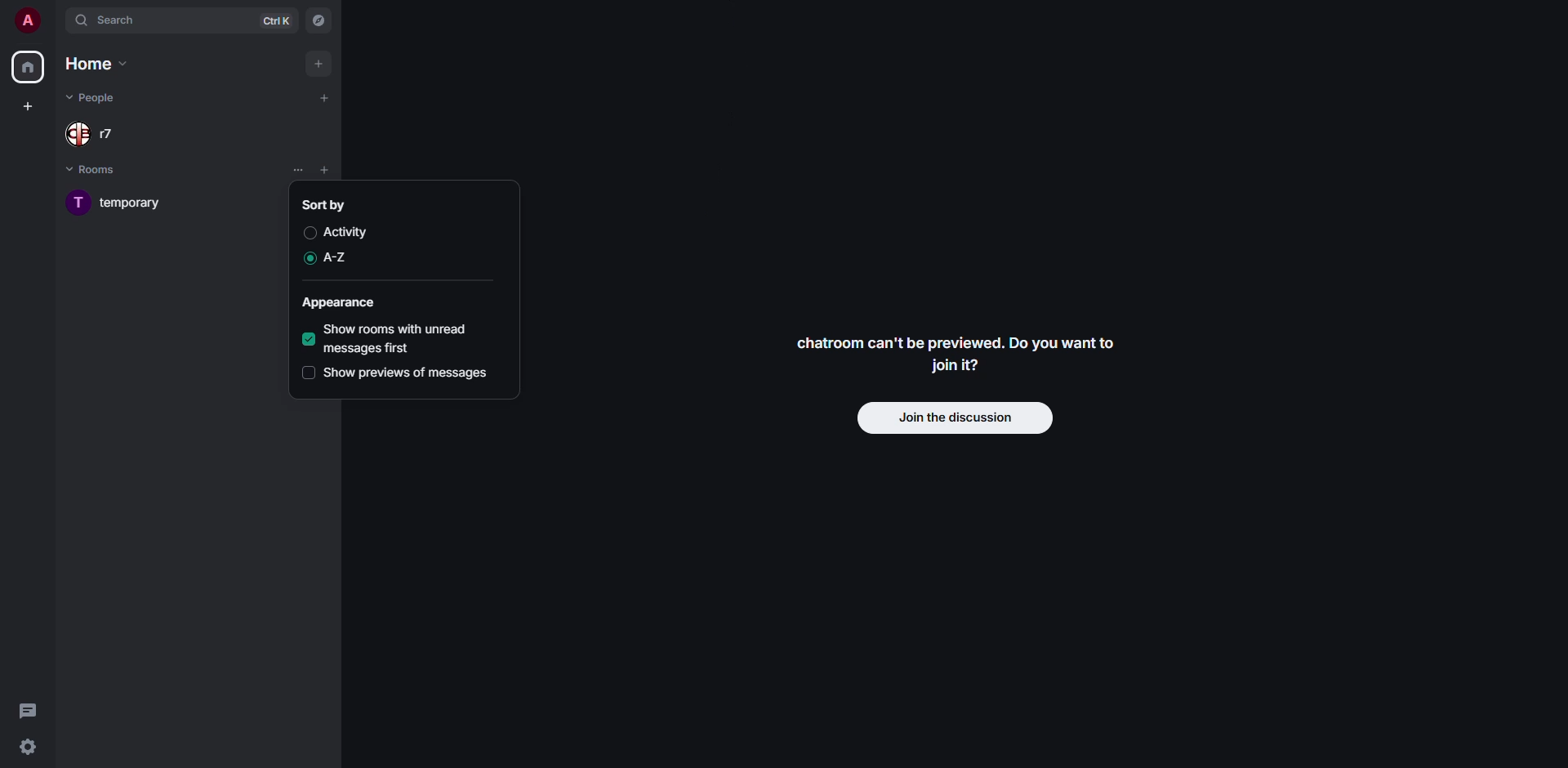 This screenshot has height=768, width=1568. What do you see at coordinates (276, 21) in the screenshot?
I see `ctrl K` at bounding box center [276, 21].